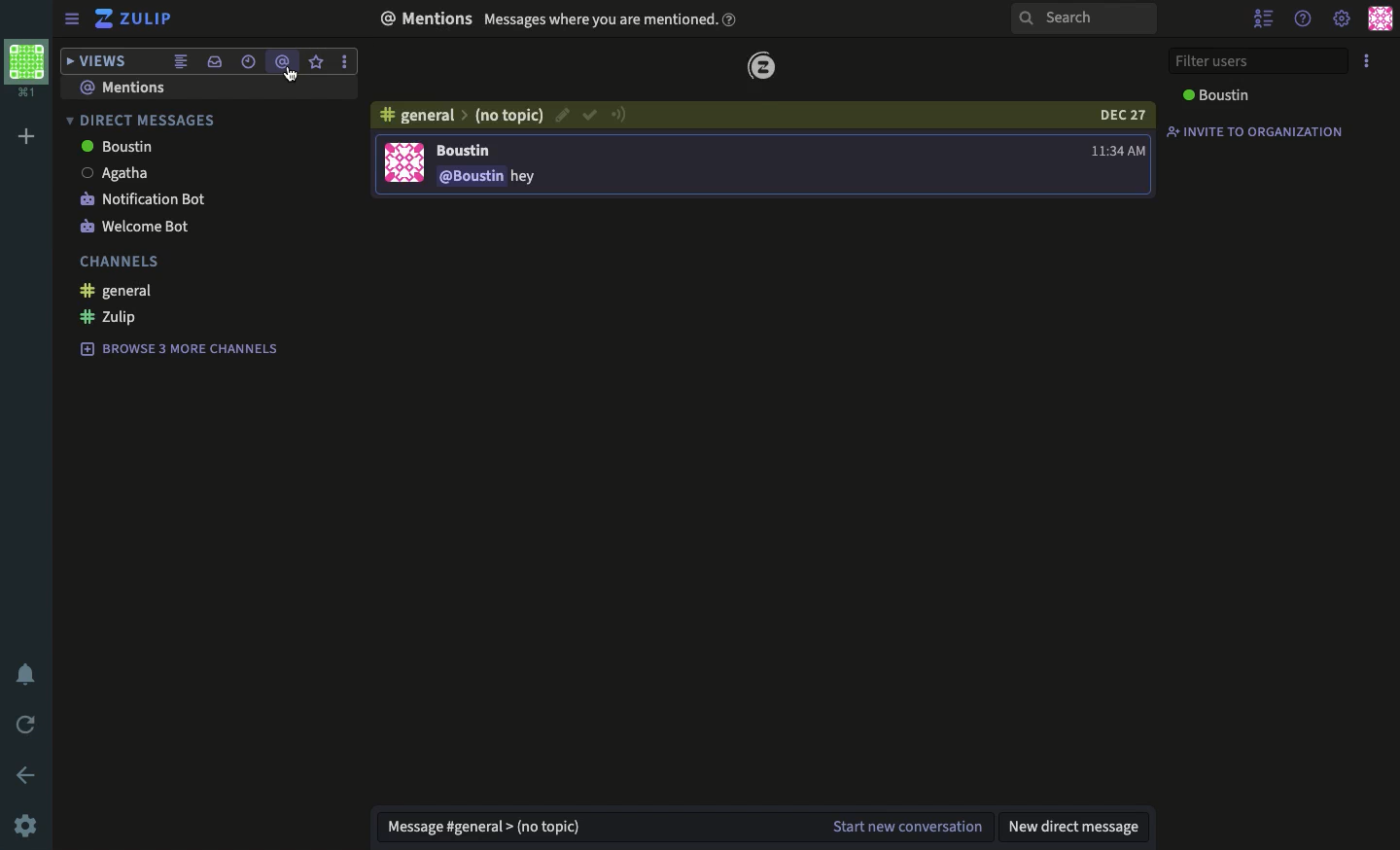 The width and height of the screenshot is (1400, 850). Describe the element at coordinates (620, 115) in the screenshot. I see `connection` at that location.